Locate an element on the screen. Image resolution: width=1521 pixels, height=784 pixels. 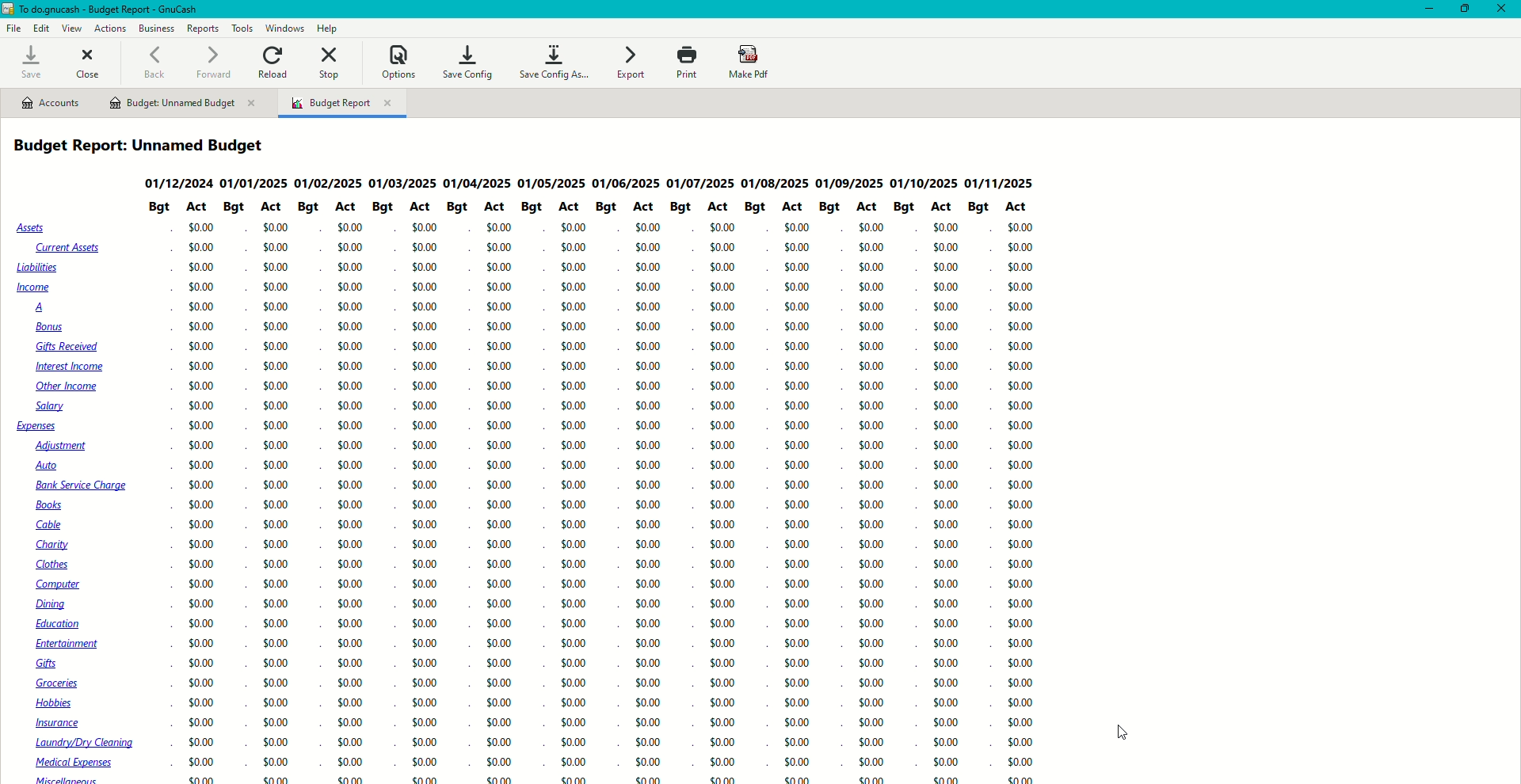
Close is located at coordinates (1504, 10).